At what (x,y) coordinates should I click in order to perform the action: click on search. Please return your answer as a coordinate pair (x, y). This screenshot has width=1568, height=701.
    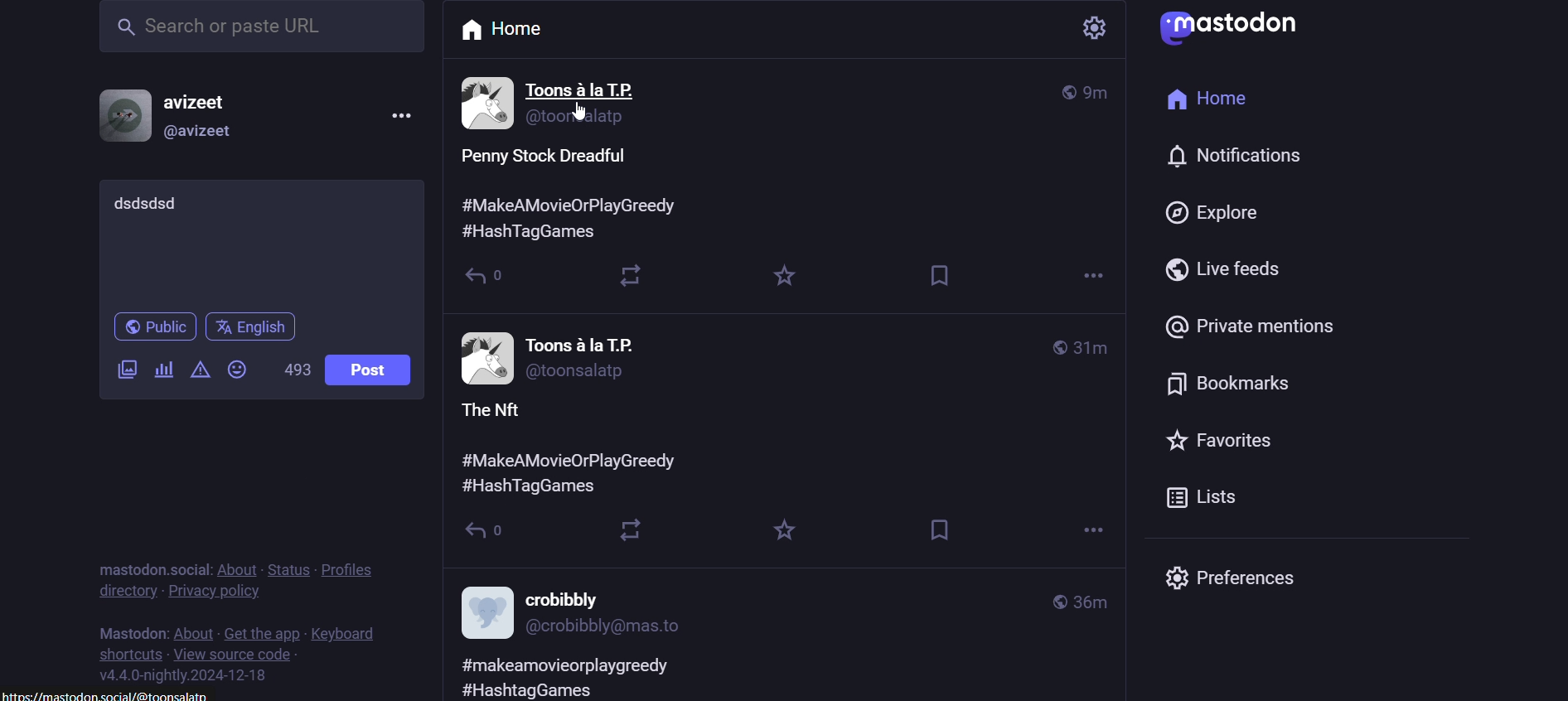
    Looking at the image, I should click on (261, 34).